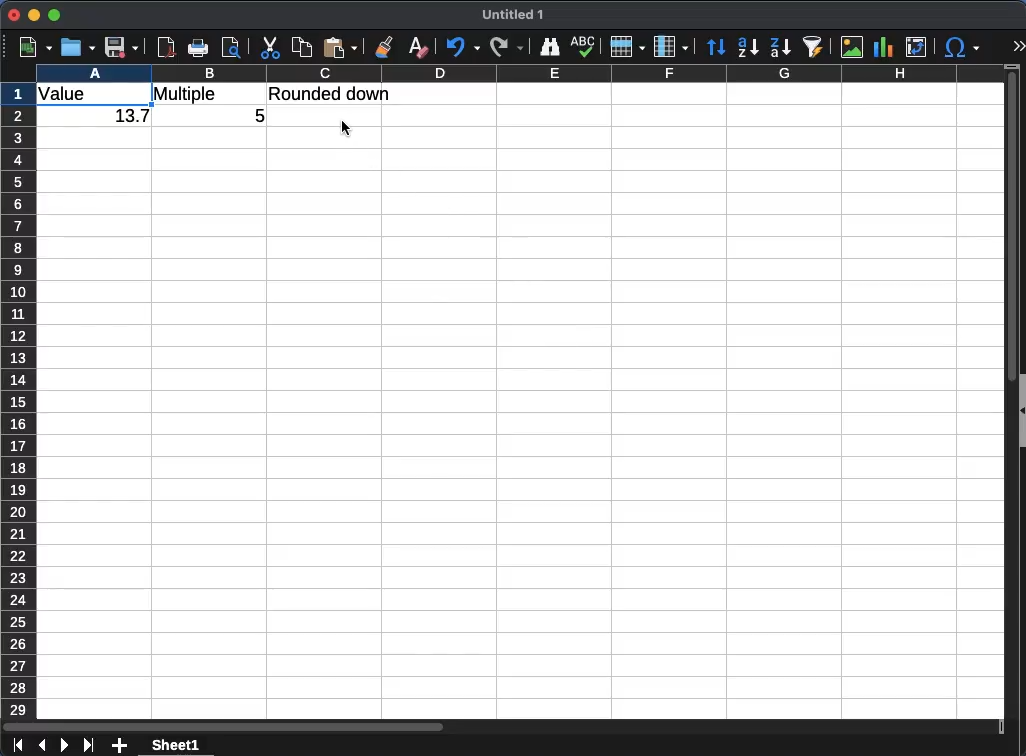 The image size is (1026, 756). Describe the element at coordinates (507, 47) in the screenshot. I see `redo` at that location.